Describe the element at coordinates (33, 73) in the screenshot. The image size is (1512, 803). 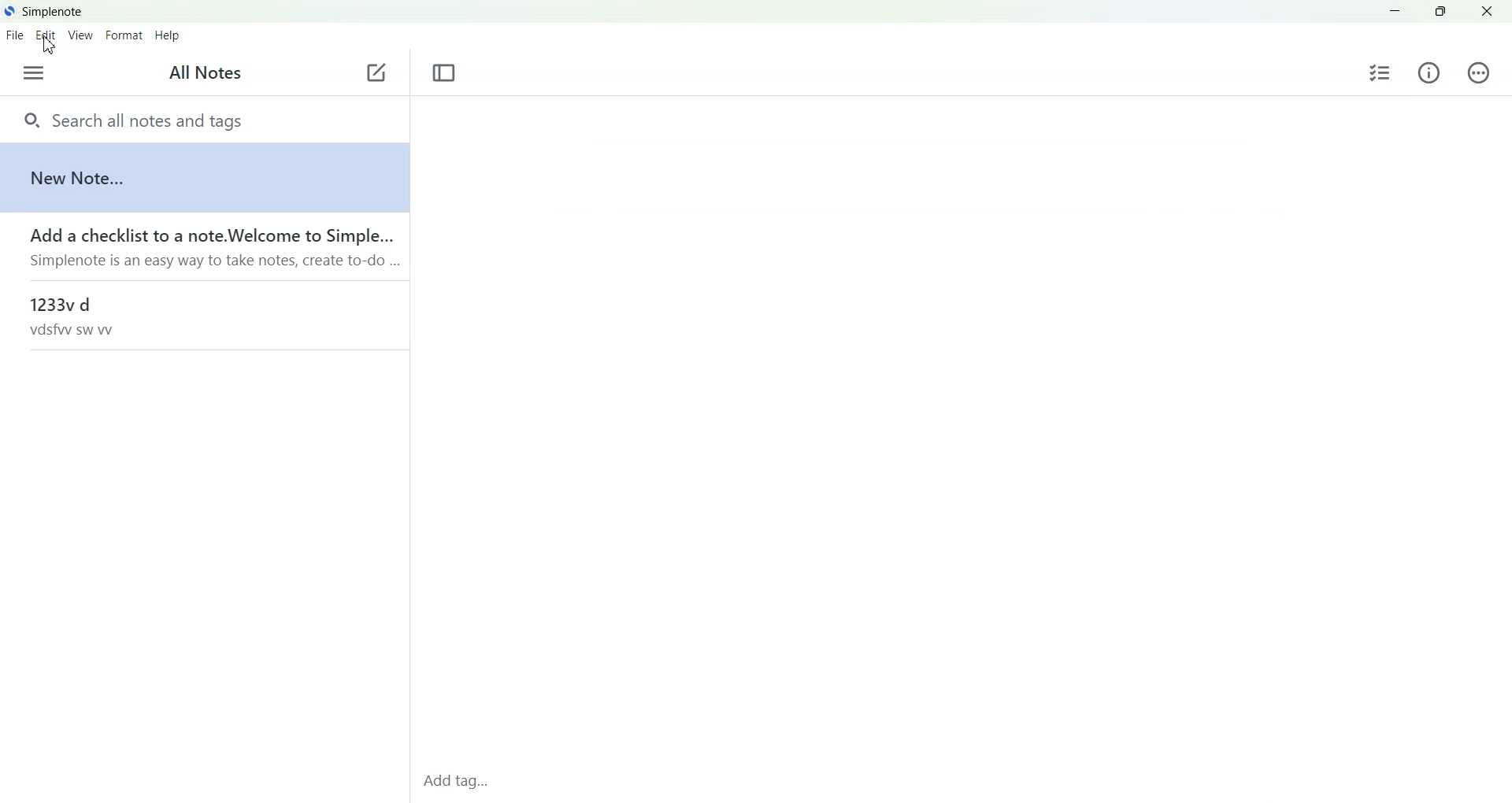
I see `Menu` at that location.